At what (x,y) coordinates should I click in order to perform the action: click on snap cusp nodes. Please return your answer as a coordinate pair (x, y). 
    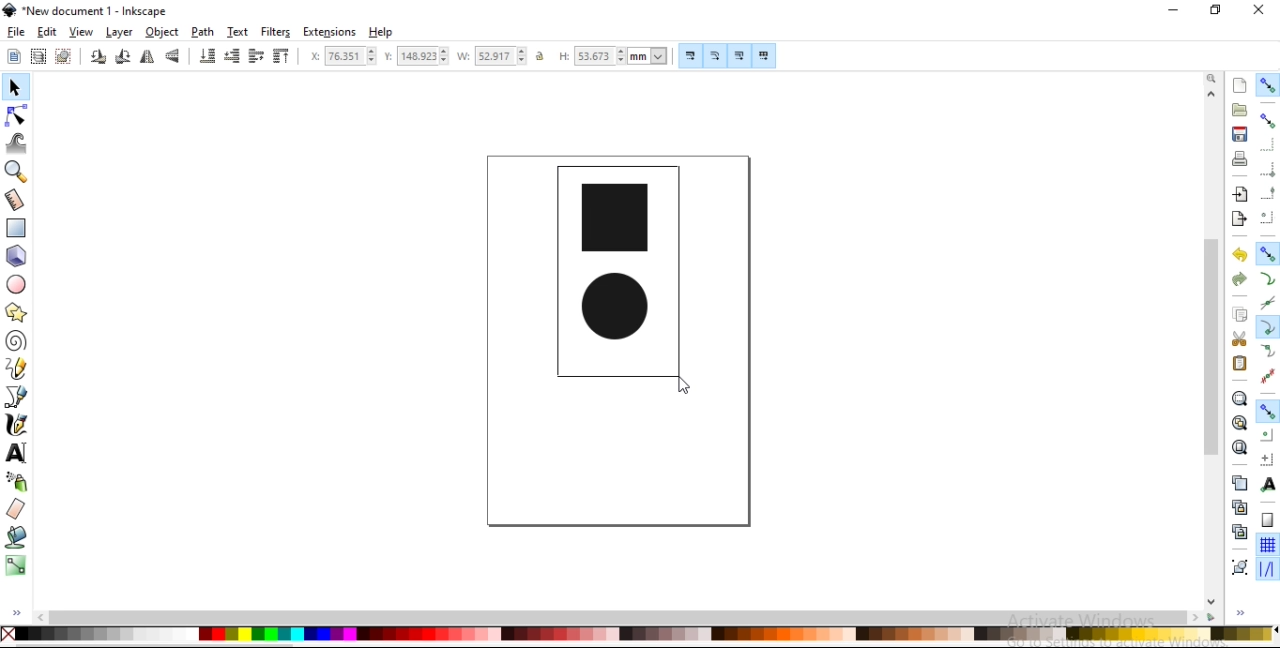
    Looking at the image, I should click on (1267, 327).